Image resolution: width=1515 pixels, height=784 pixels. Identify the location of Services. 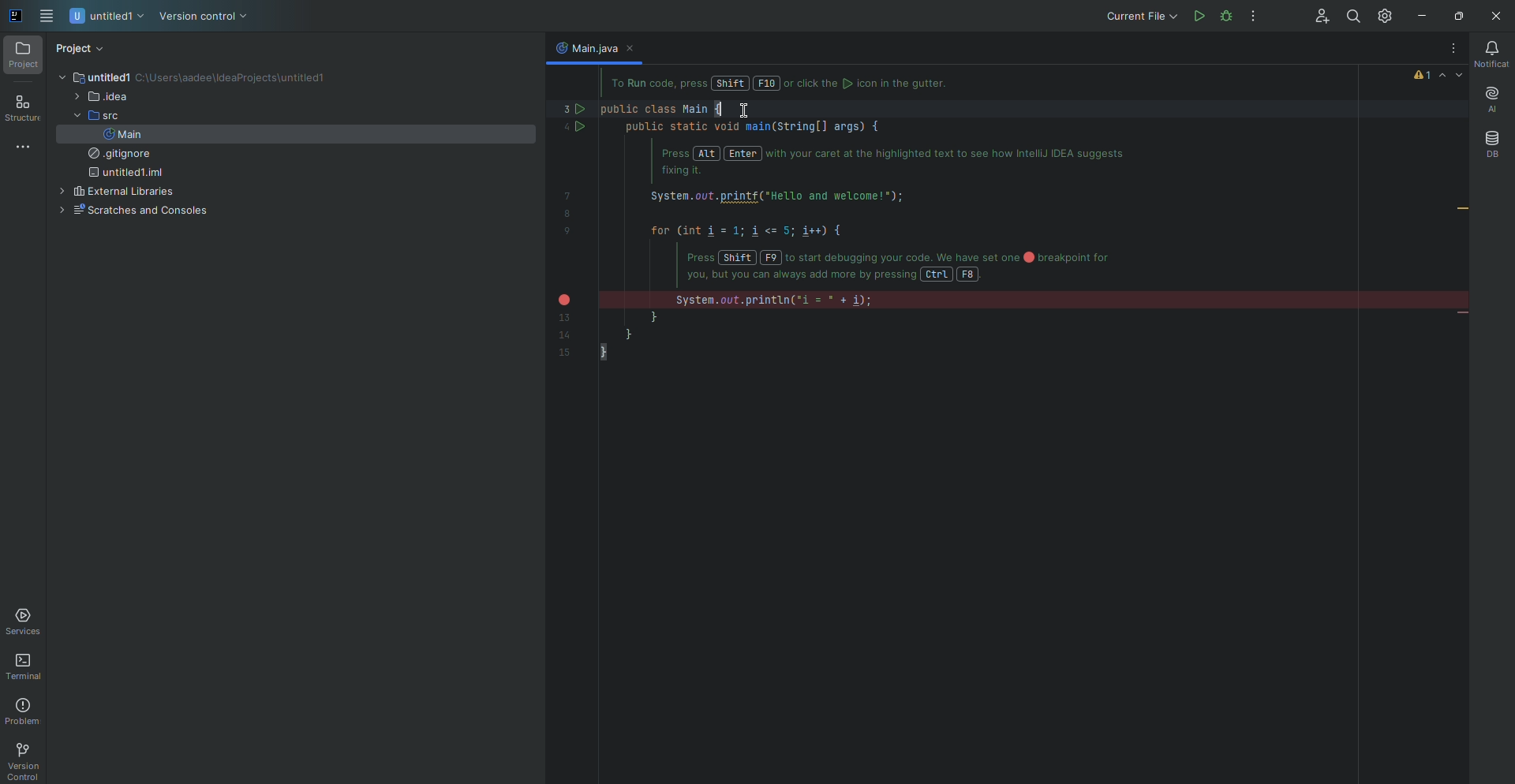
(26, 622).